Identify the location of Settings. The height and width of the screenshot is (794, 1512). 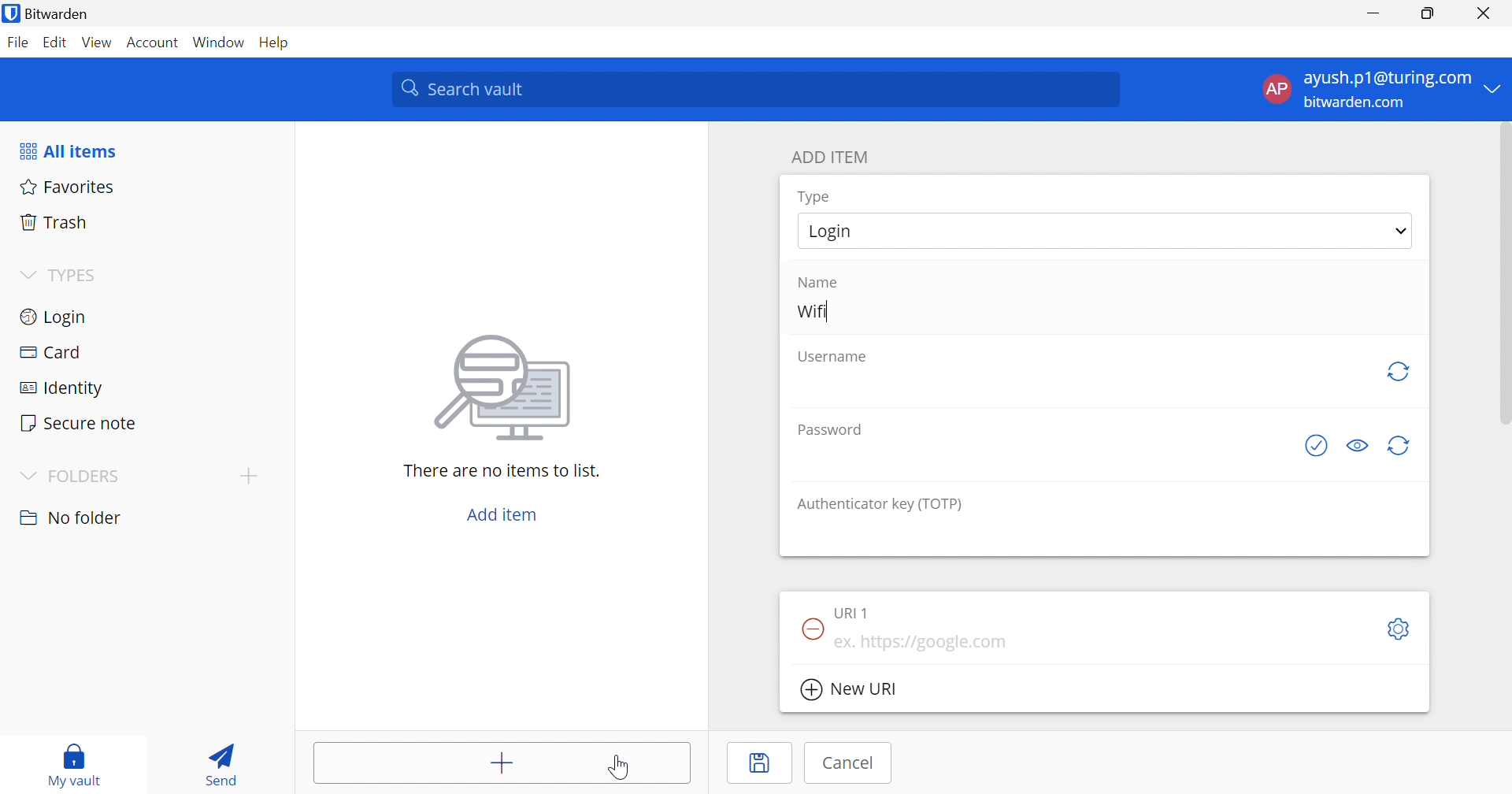
(1402, 630).